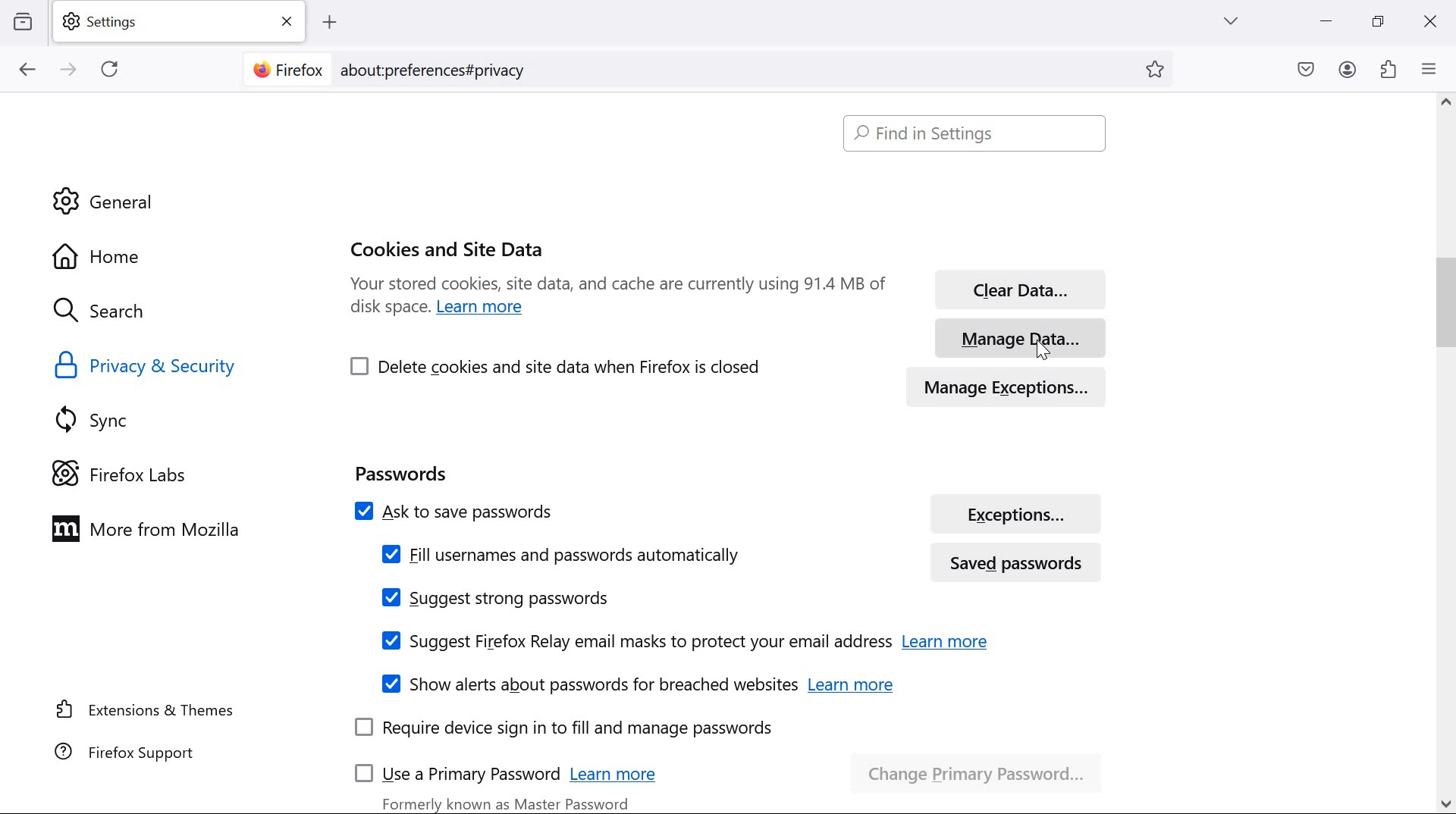 The image size is (1456, 814). I want to click on scroll bar, so click(1434, 455).